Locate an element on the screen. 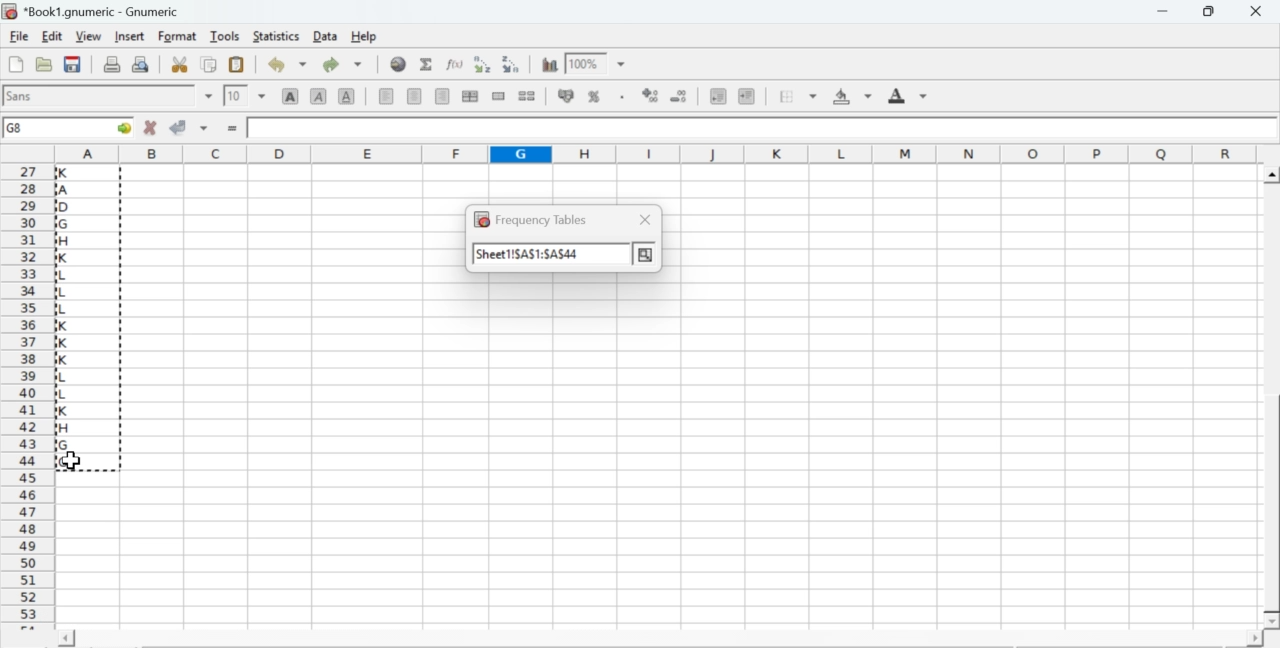 The height and width of the screenshot is (648, 1280). new is located at coordinates (15, 64).